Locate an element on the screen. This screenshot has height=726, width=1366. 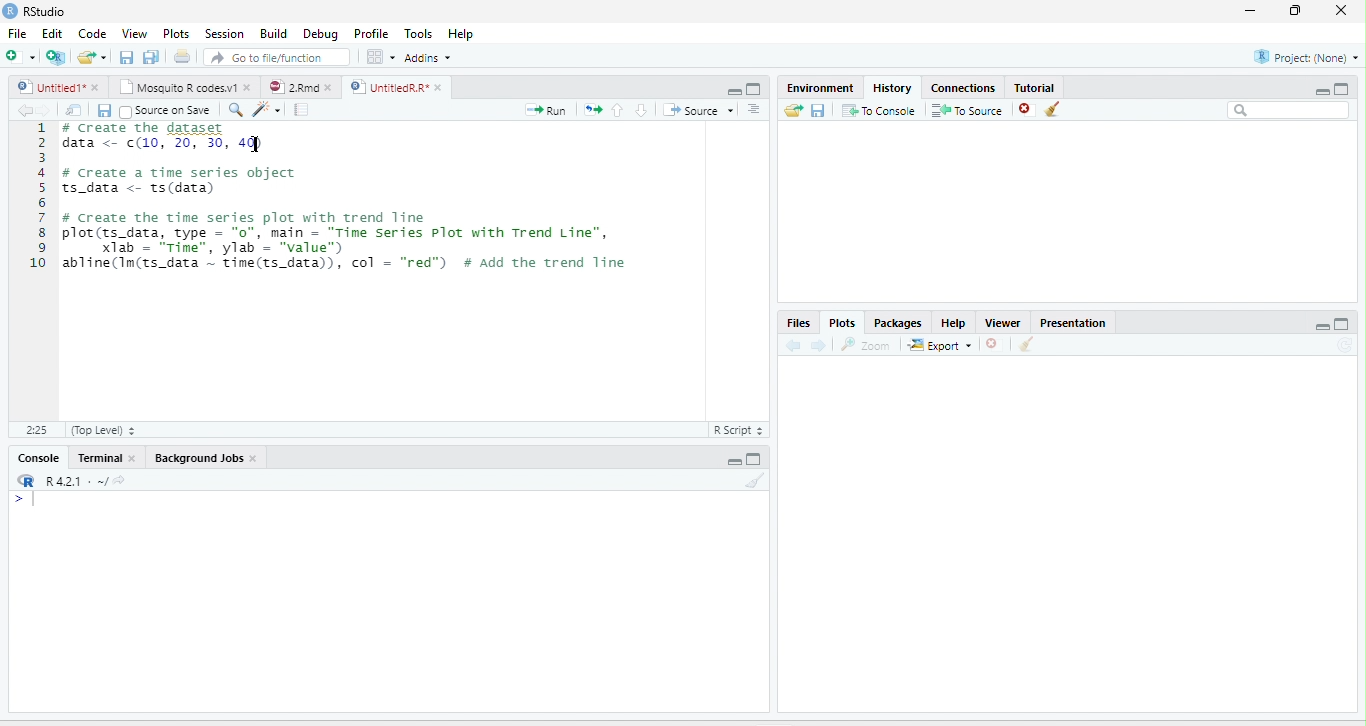
Code is located at coordinates (93, 33).